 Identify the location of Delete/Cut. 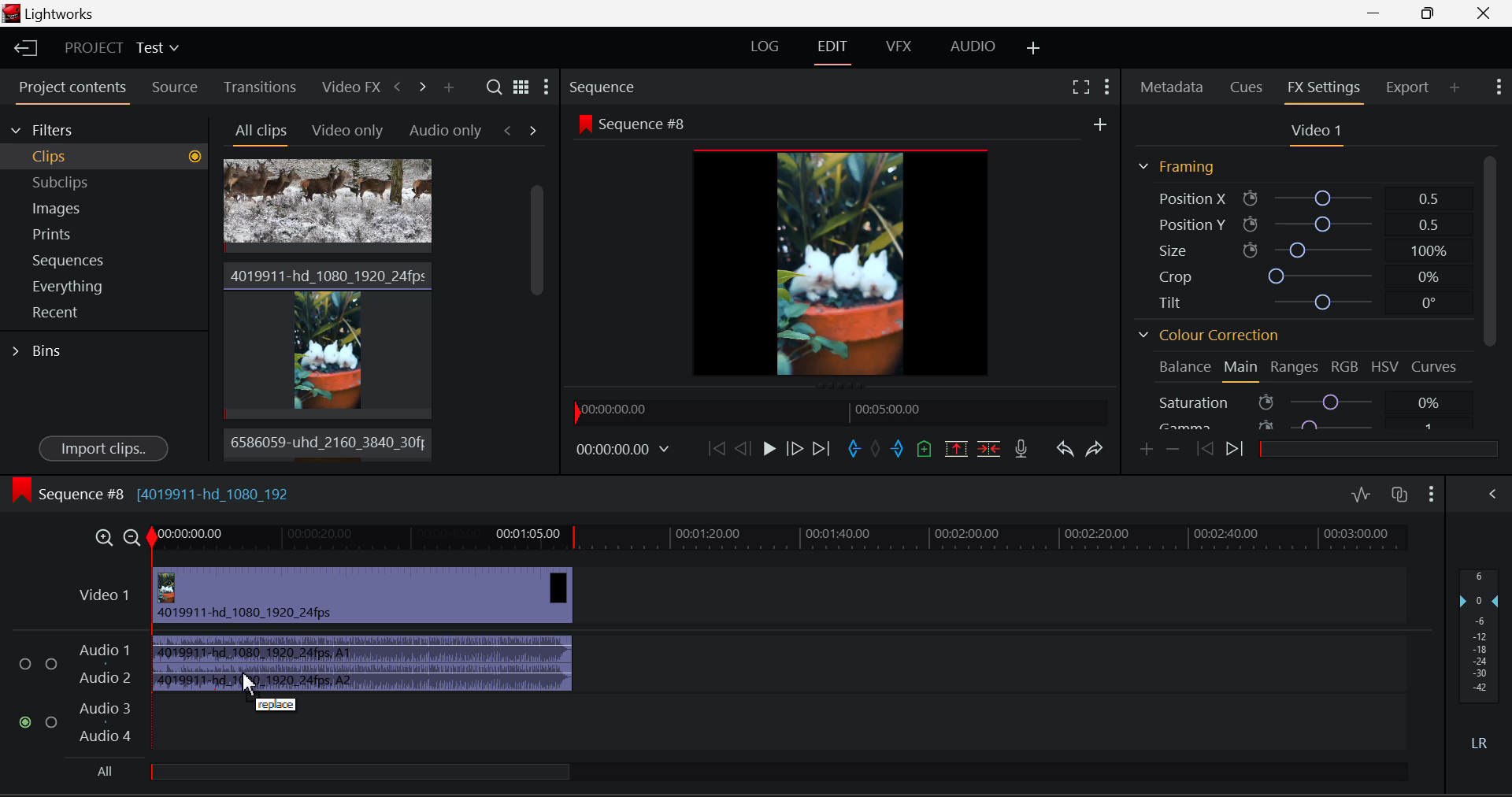
(989, 448).